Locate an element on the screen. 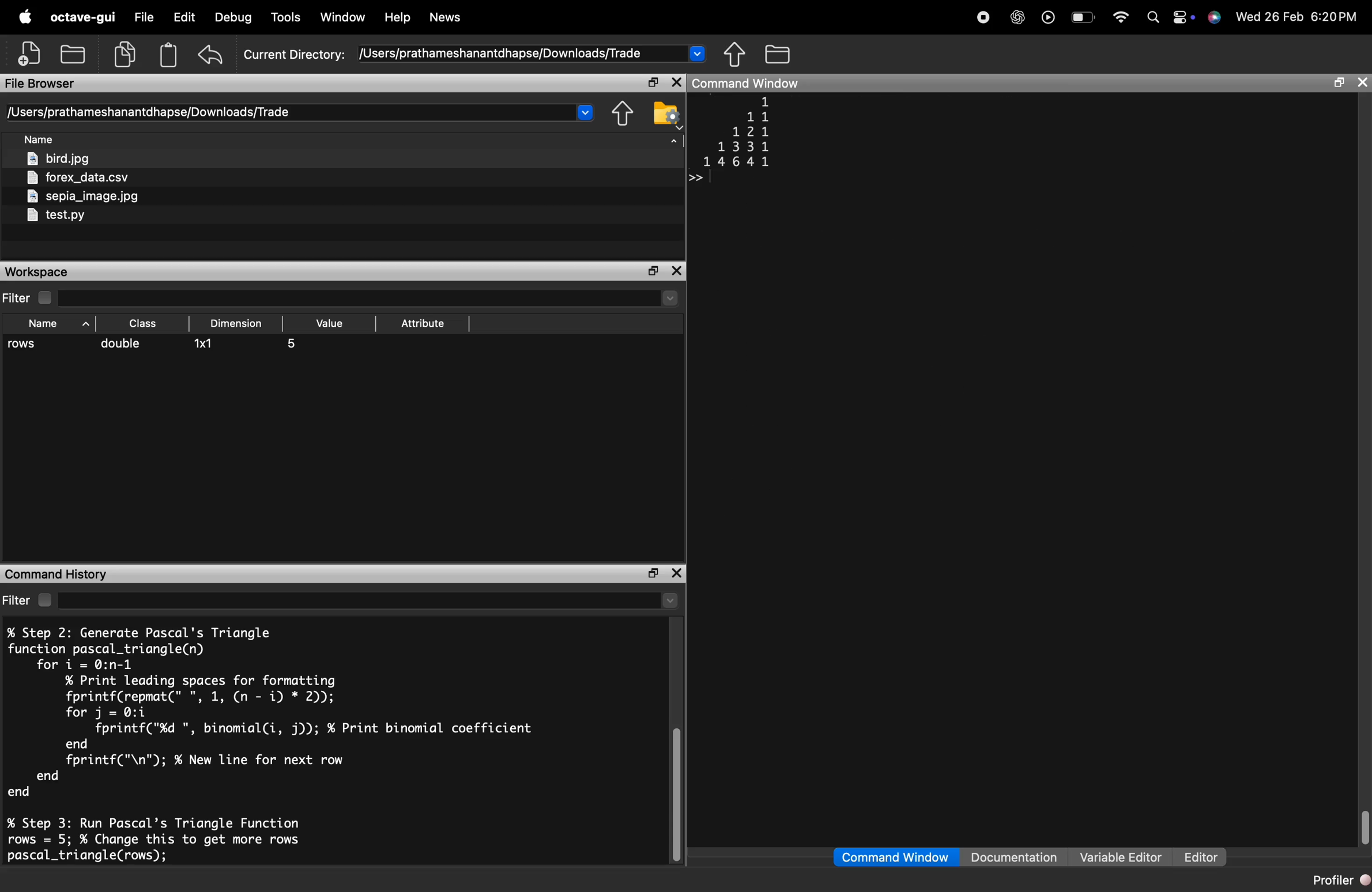 The width and height of the screenshot is (1372, 892). Dropdown is located at coordinates (670, 602).